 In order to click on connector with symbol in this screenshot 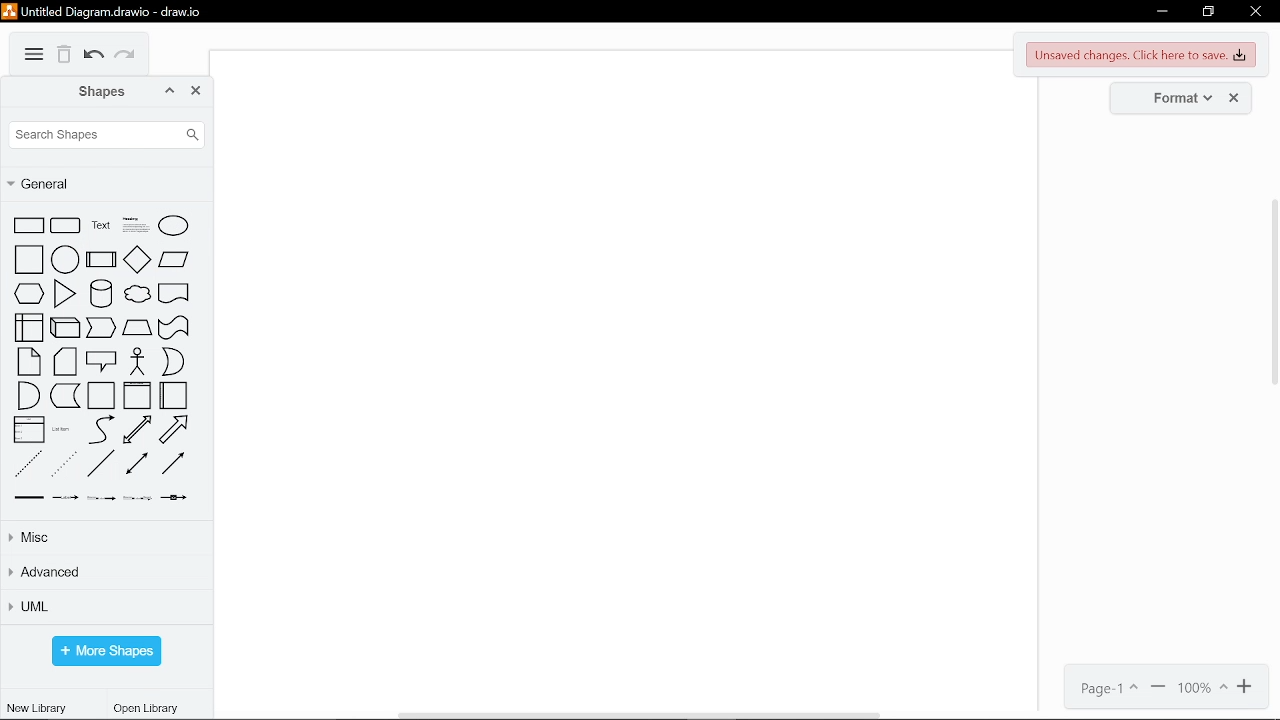, I will do `click(176, 498)`.